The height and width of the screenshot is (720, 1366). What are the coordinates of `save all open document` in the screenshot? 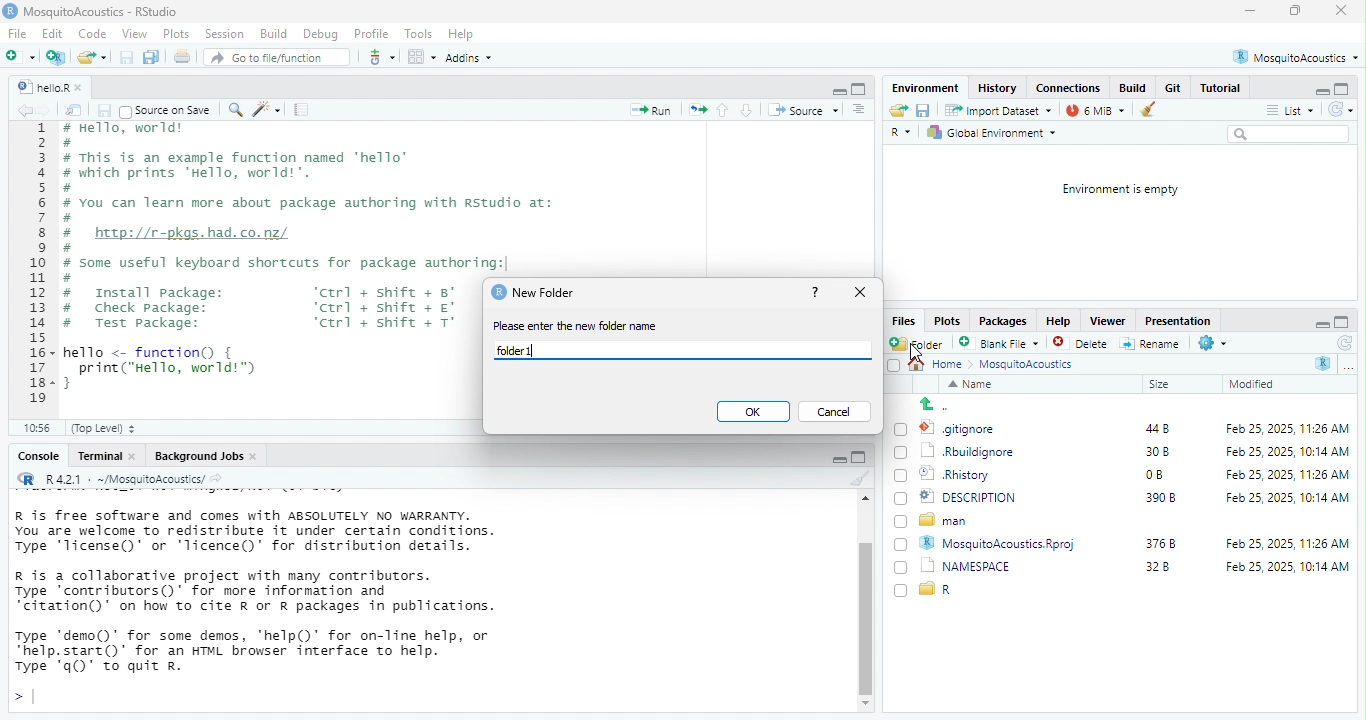 It's located at (153, 57).